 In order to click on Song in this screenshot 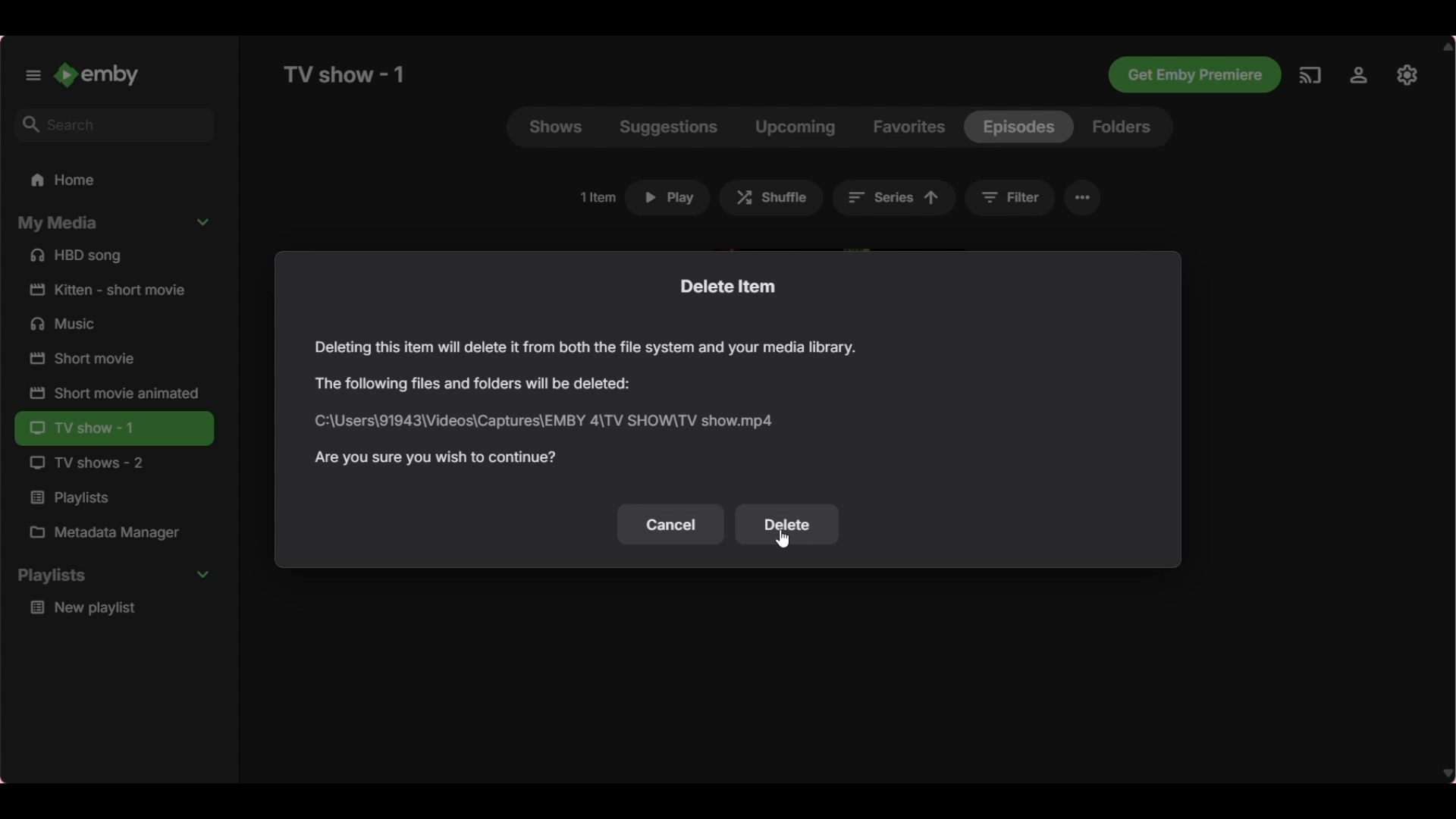, I will do `click(115, 256)`.